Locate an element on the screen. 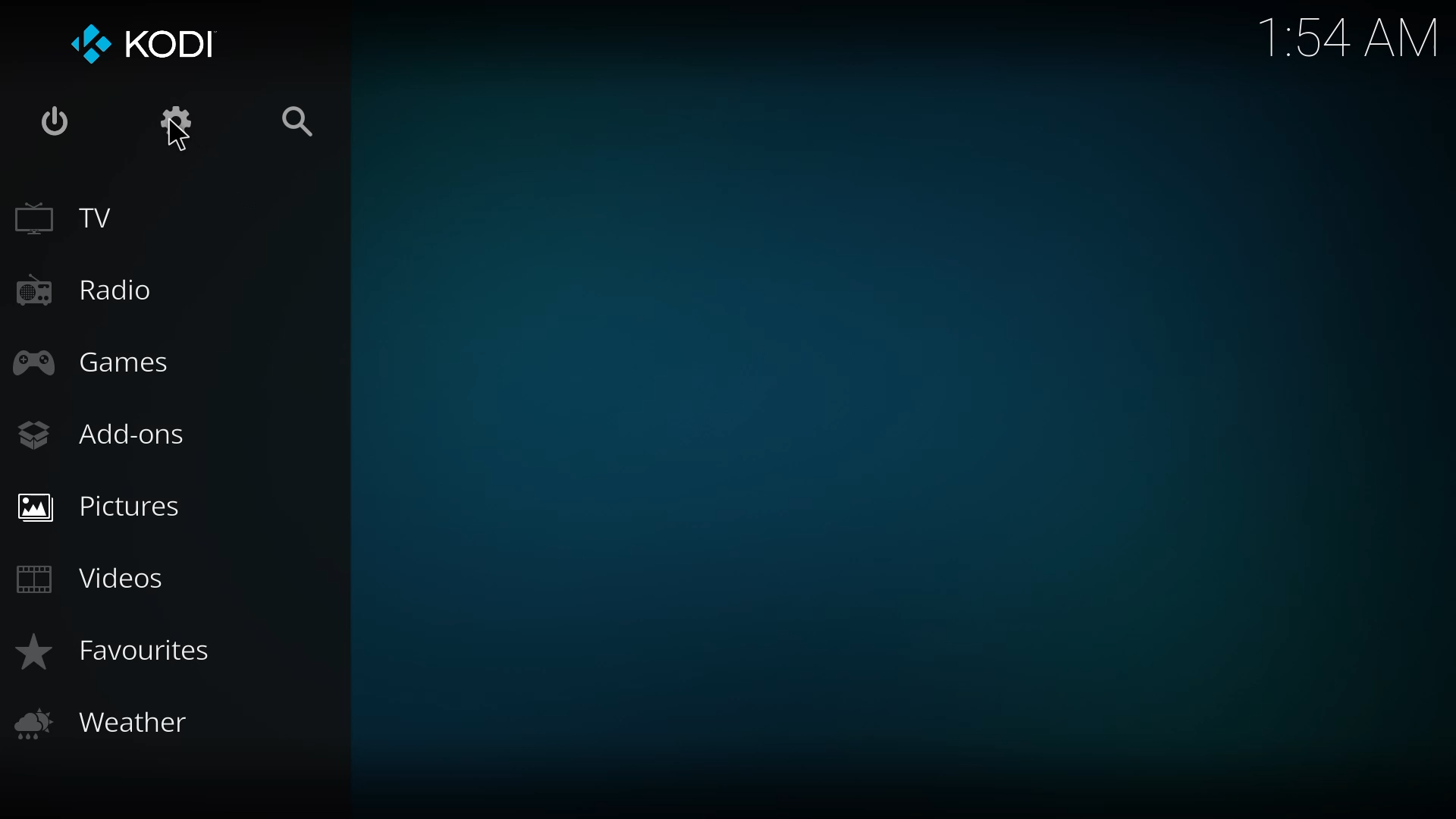  settings is located at coordinates (179, 120).